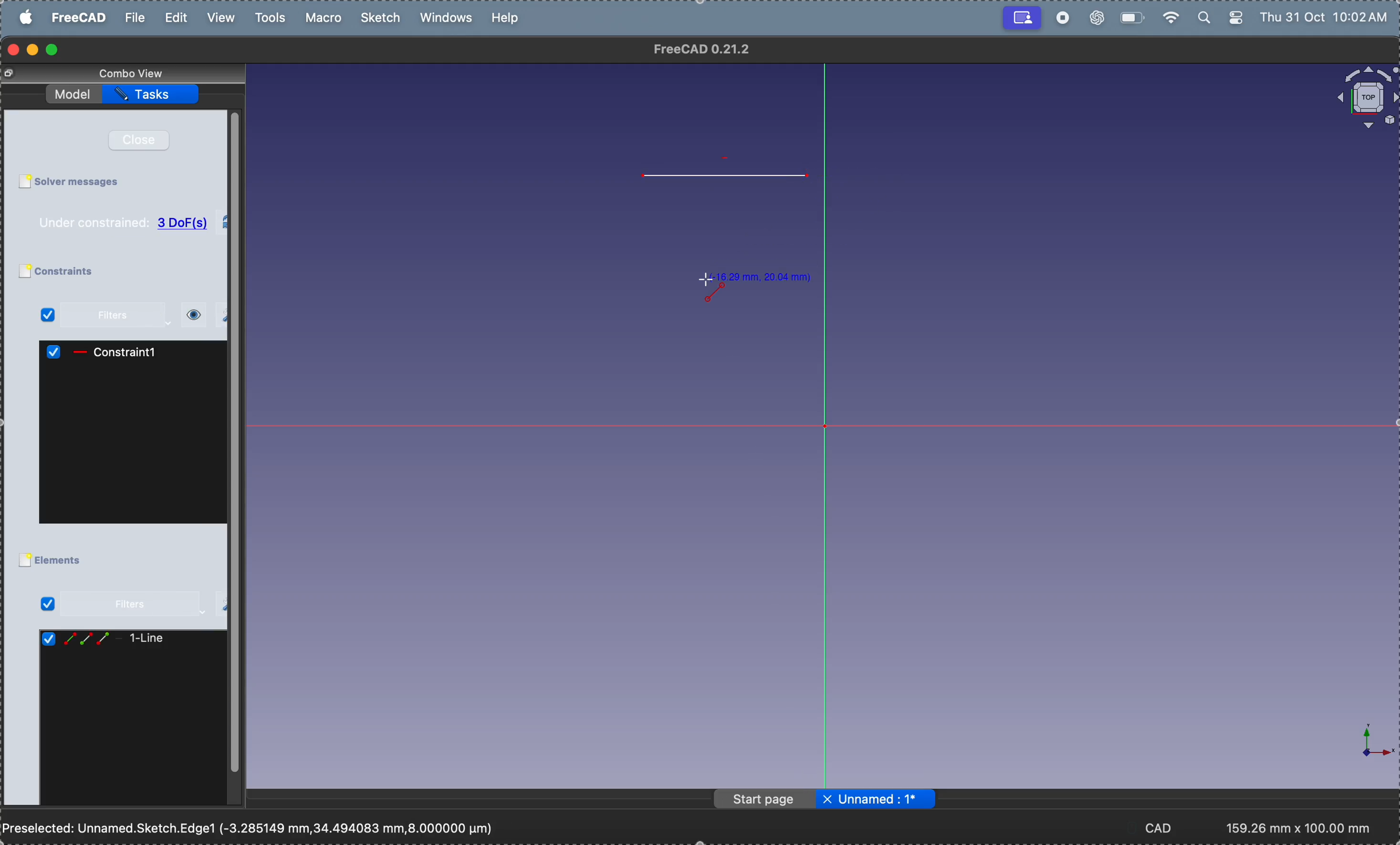 The height and width of the screenshot is (845, 1400). Describe the element at coordinates (507, 17) in the screenshot. I see `help` at that location.